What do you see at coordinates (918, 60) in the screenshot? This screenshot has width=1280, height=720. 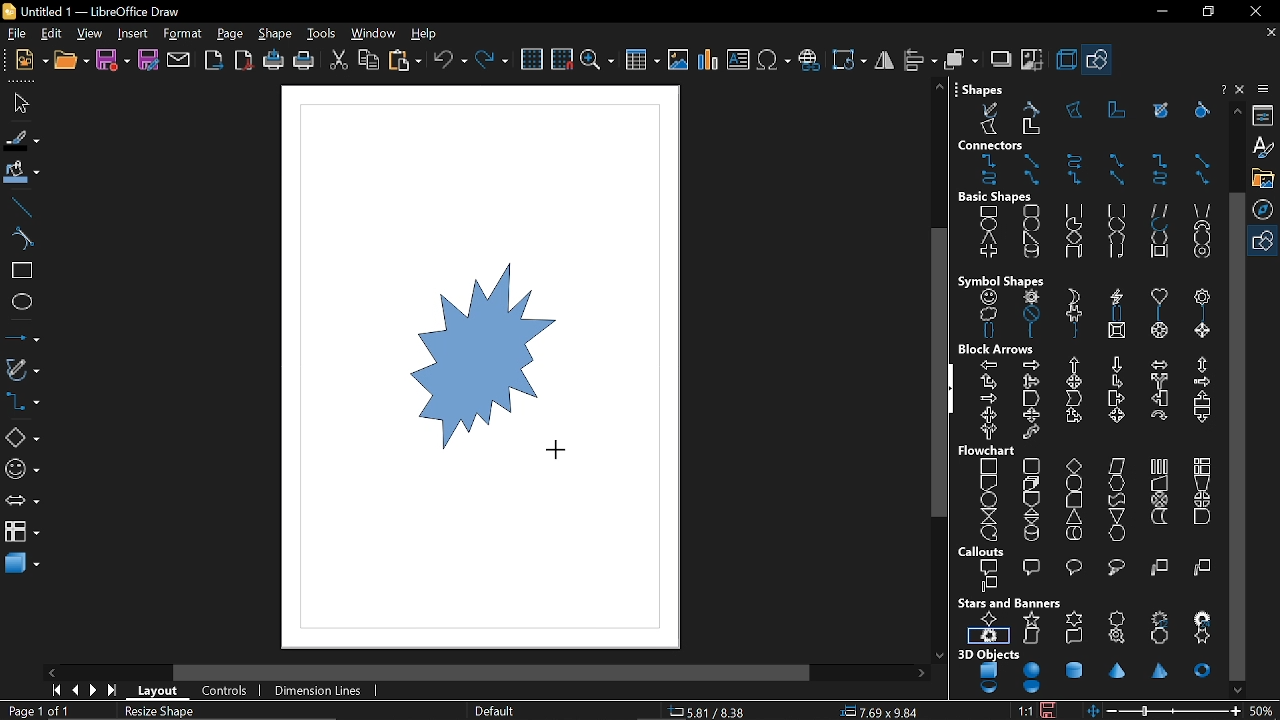 I see `align` at bounding box center [918, 60].